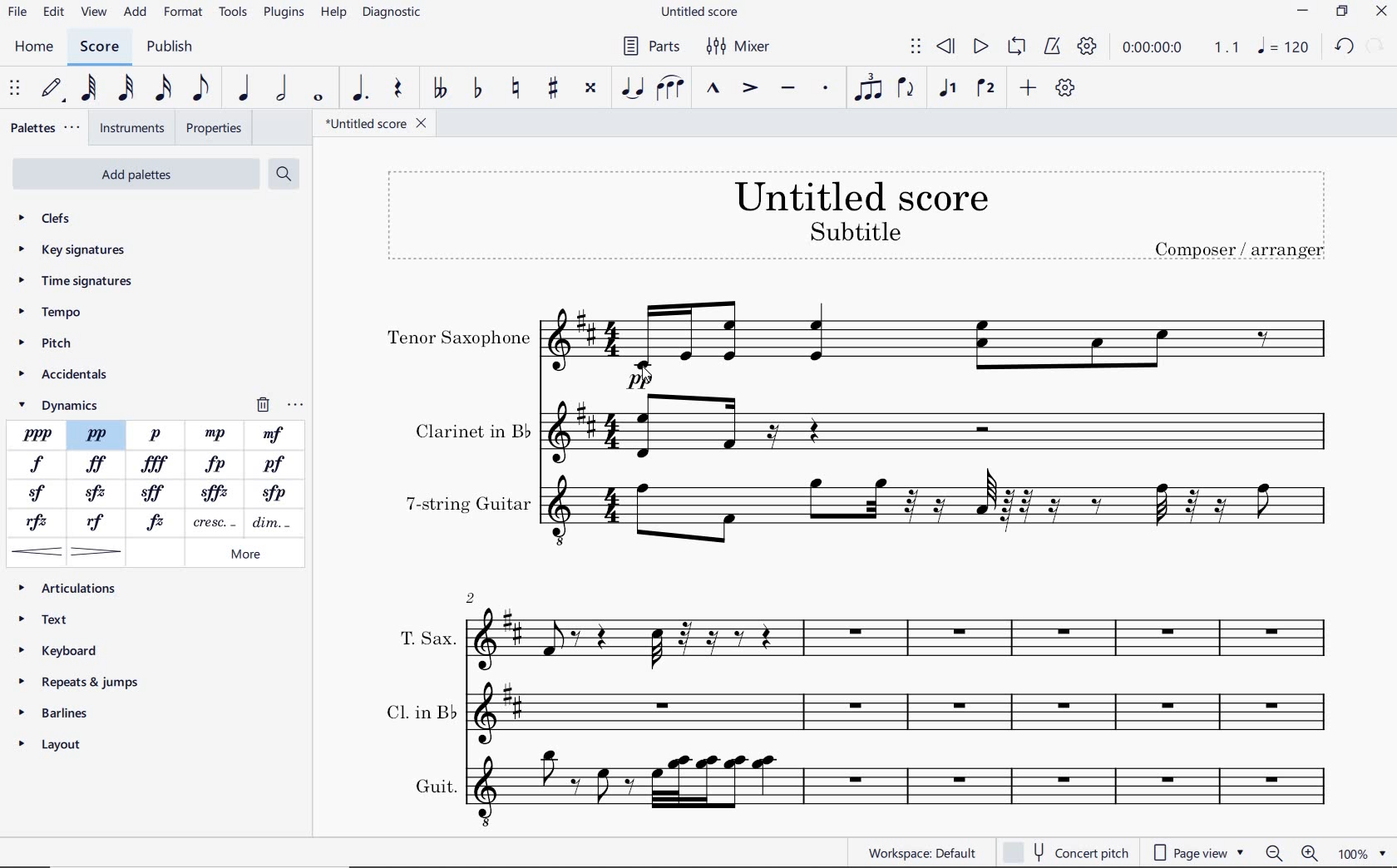  I want to click on PF(PIANOFORTE), so click(276, 465).